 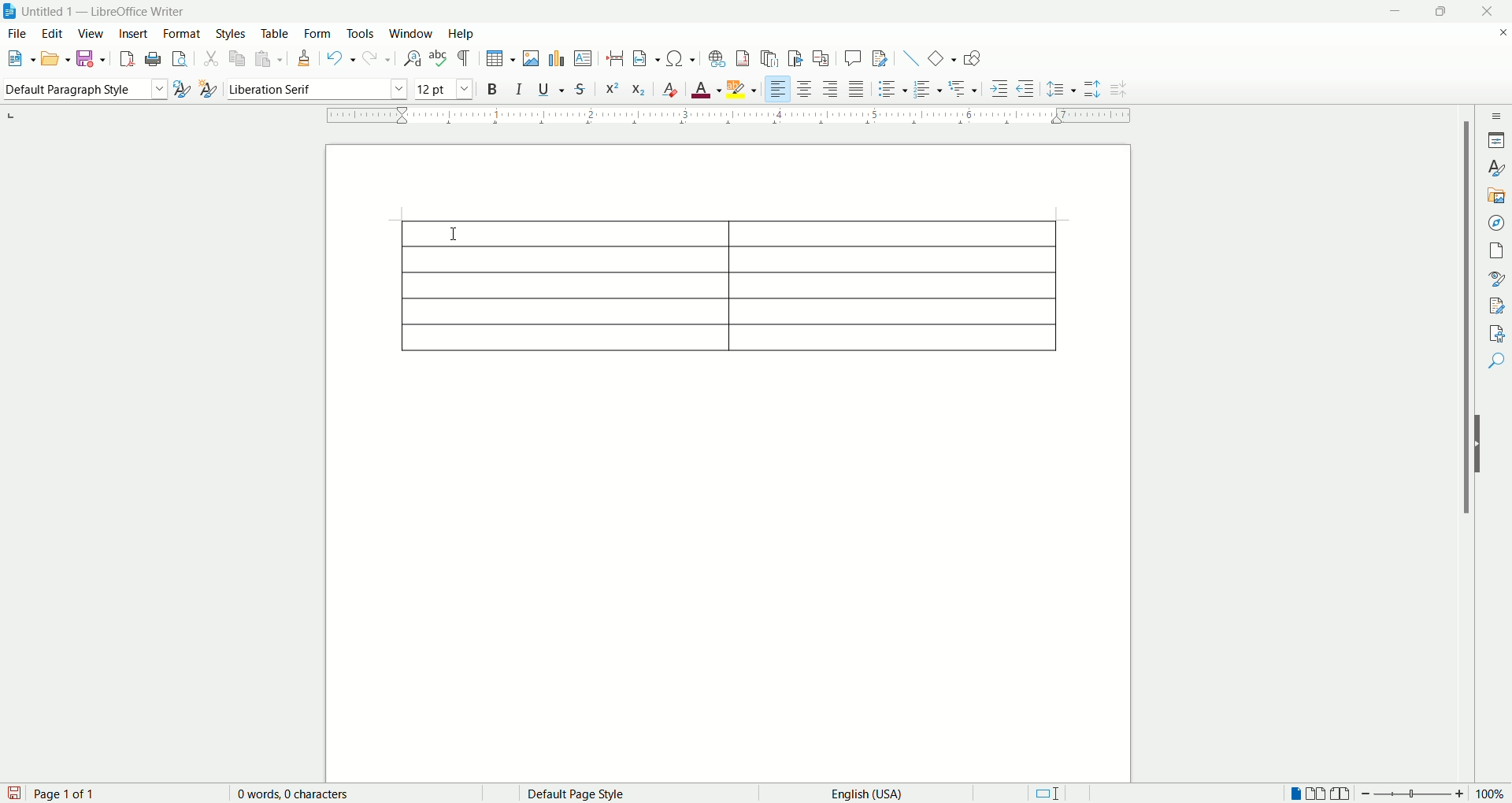 I want to click on selected style, so click(x=182, y=91).